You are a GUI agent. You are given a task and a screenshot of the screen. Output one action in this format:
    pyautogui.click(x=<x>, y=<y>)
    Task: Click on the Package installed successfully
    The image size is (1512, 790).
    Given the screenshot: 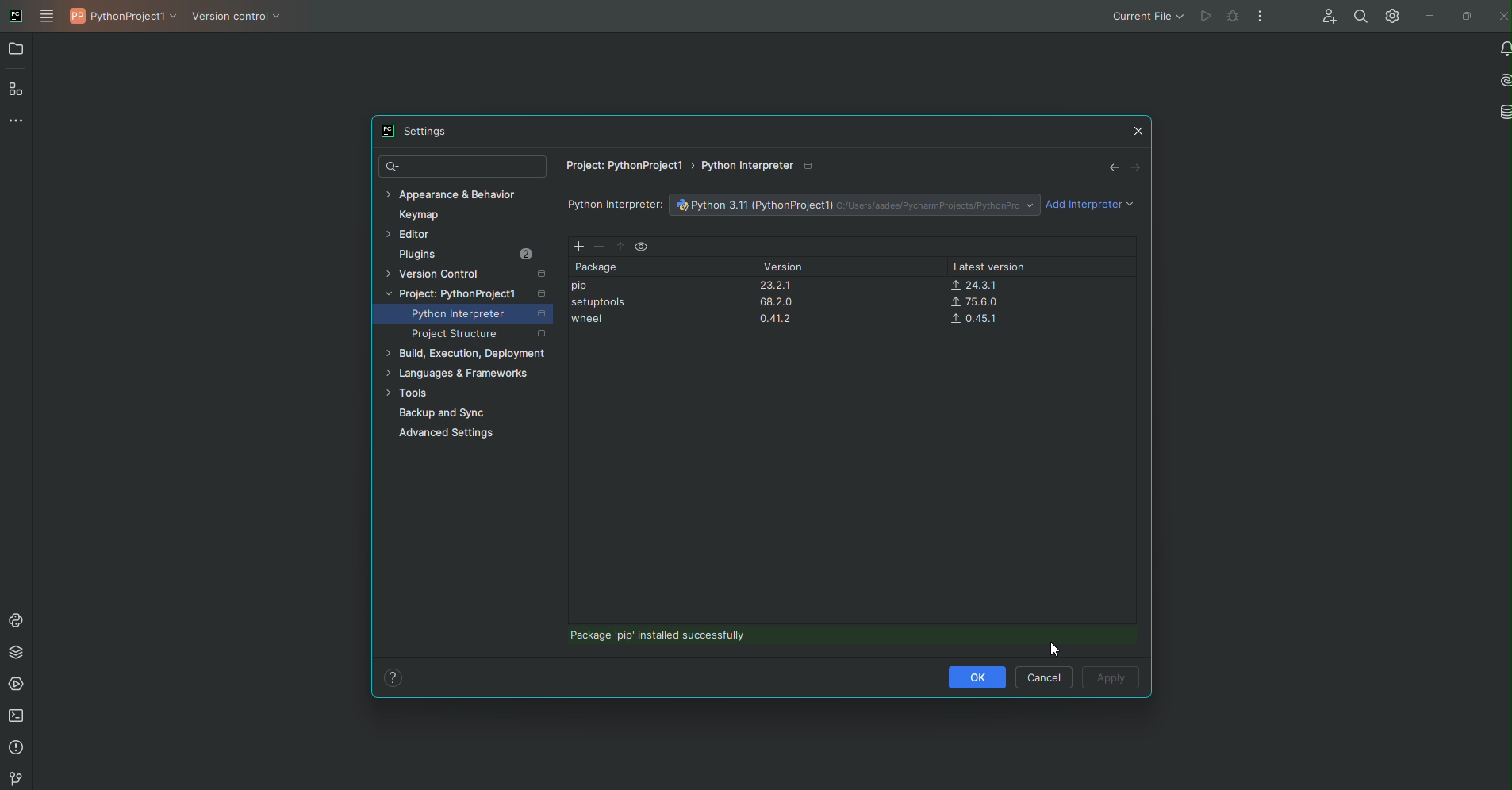 What is the action you would take?
    pyautogui.click(x=666, y=637)
    